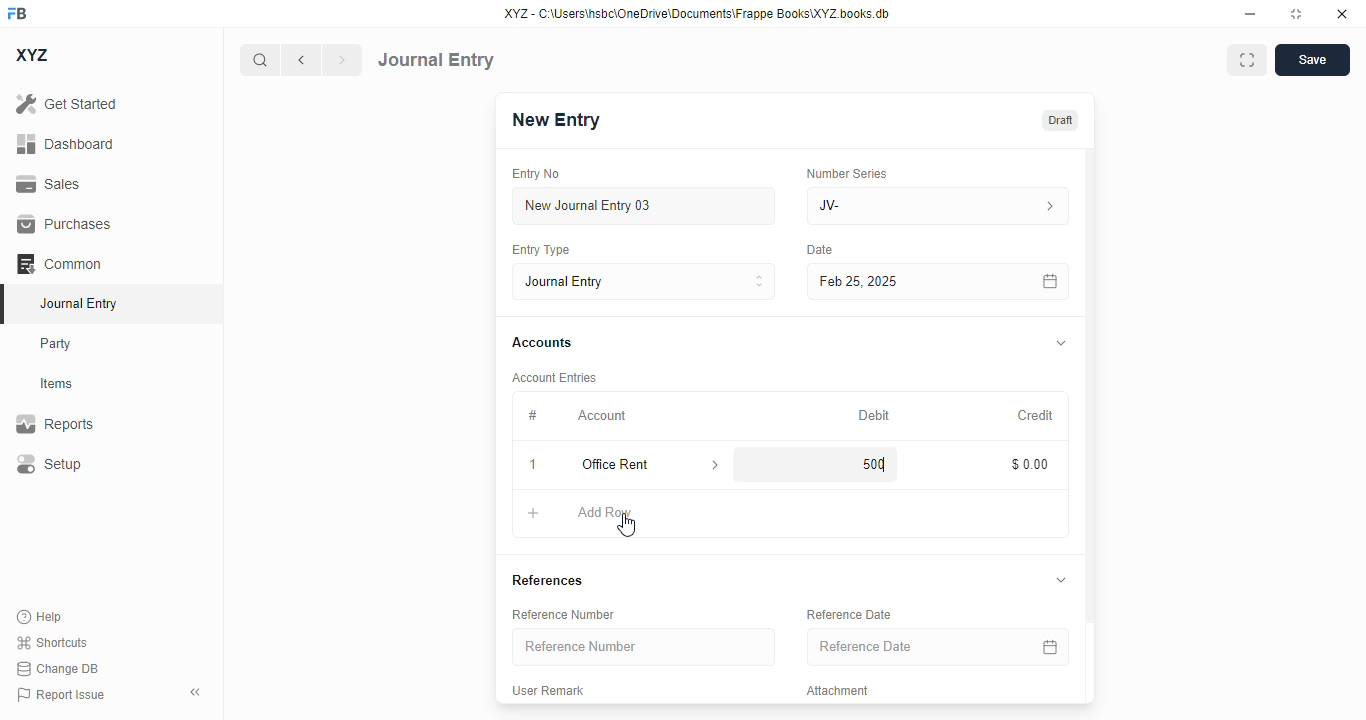  What do you see at coordinates (61, 695) in the screenshot?
I see `report issue` at bounding box center [61, 695].